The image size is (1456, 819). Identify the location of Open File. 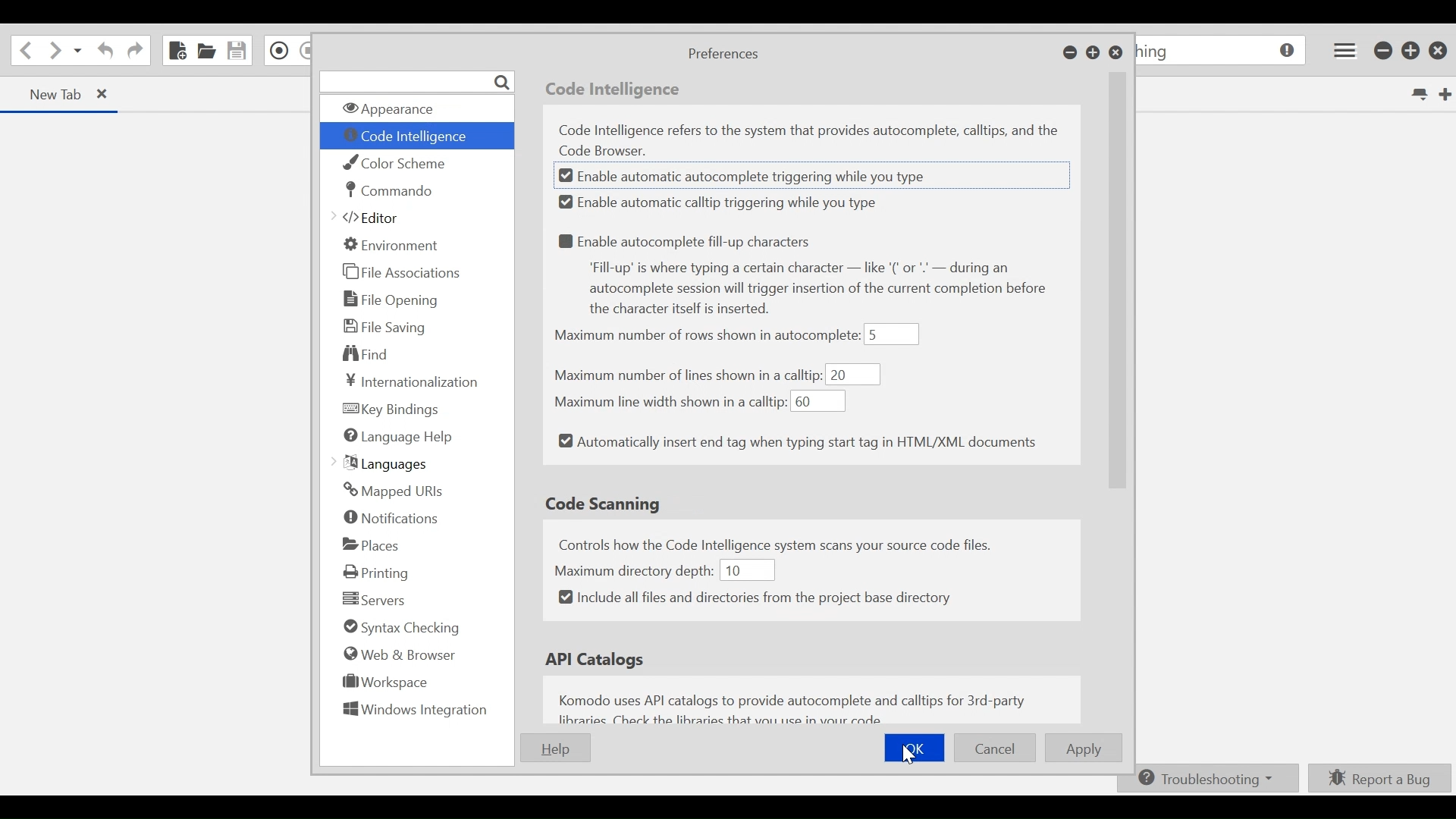
(207, 52).